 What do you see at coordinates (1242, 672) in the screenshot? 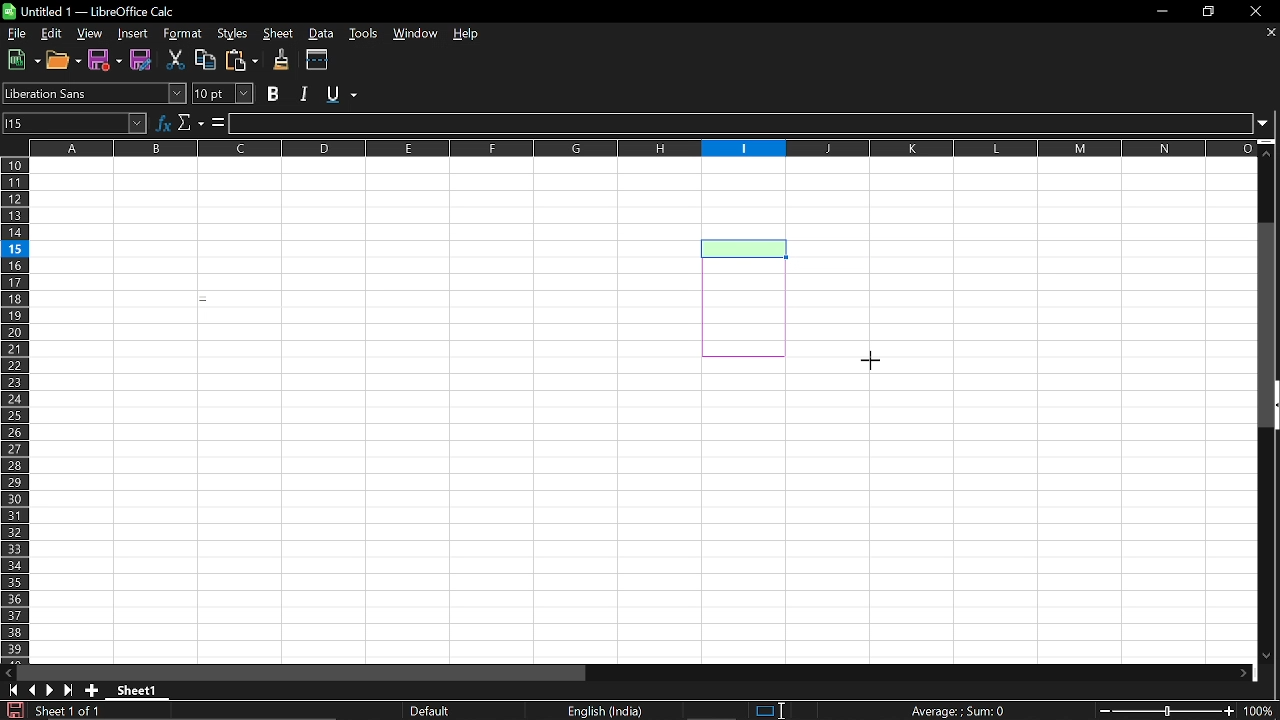
I see `Move down` at bounding box center [1242, 672].